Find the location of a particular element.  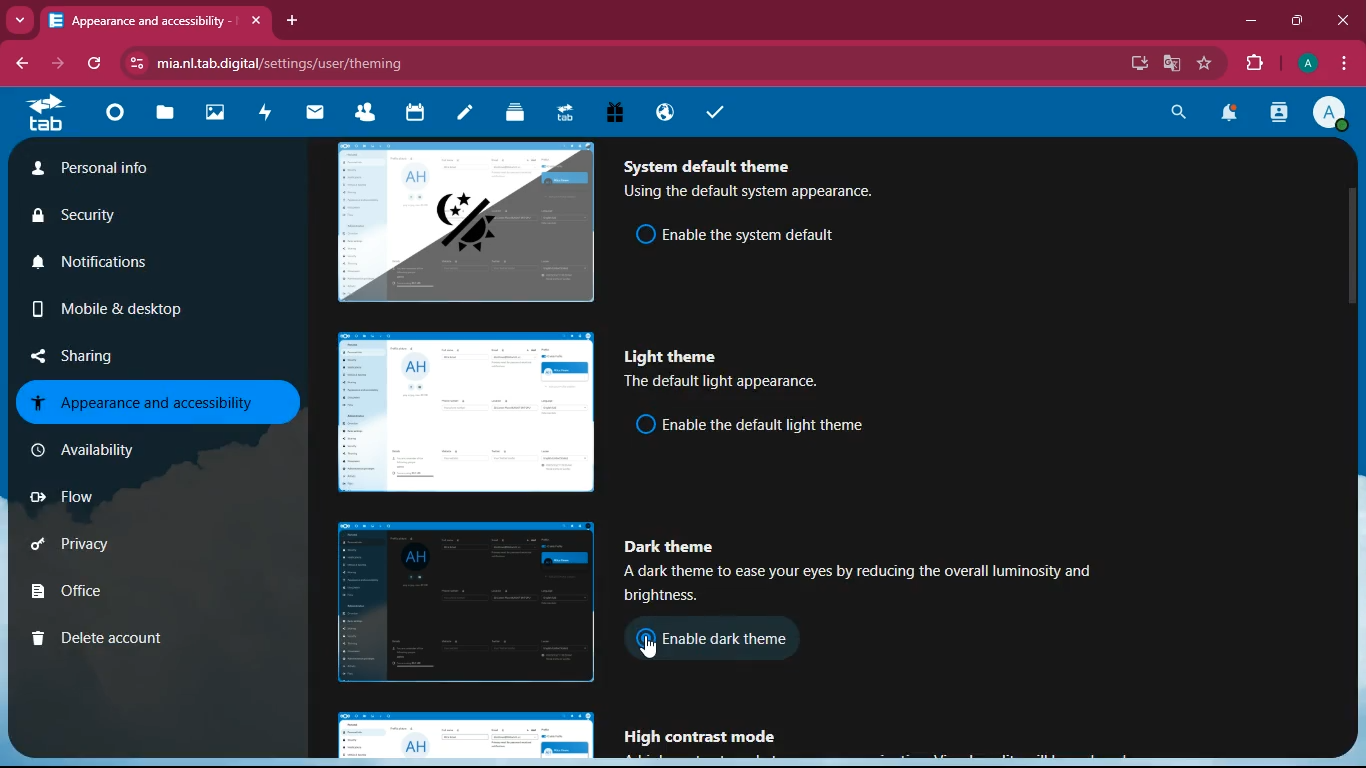

tab is located at coordinates (138, 19).